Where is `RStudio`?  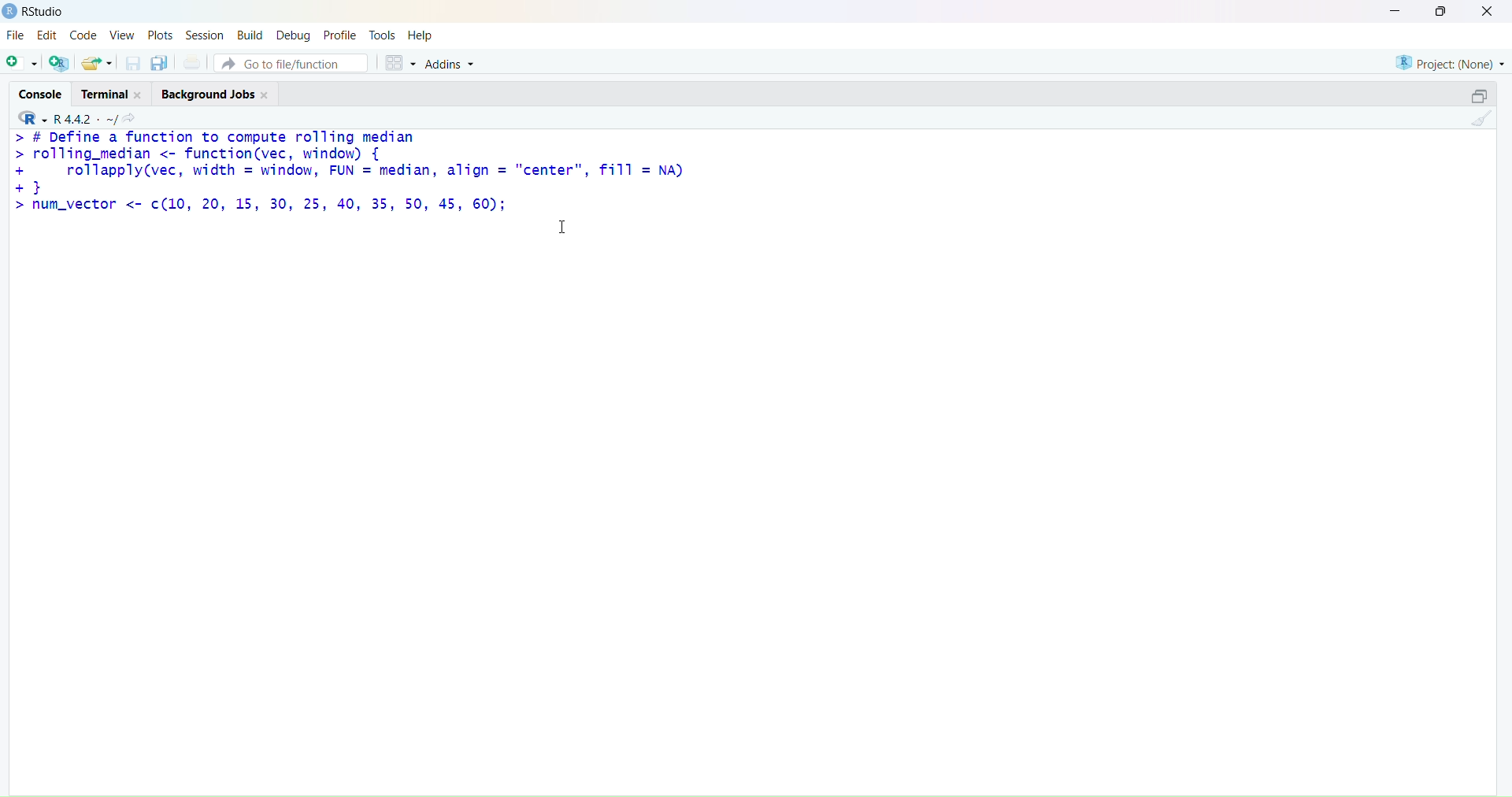 RStudio is located at coordinates (46, 12).